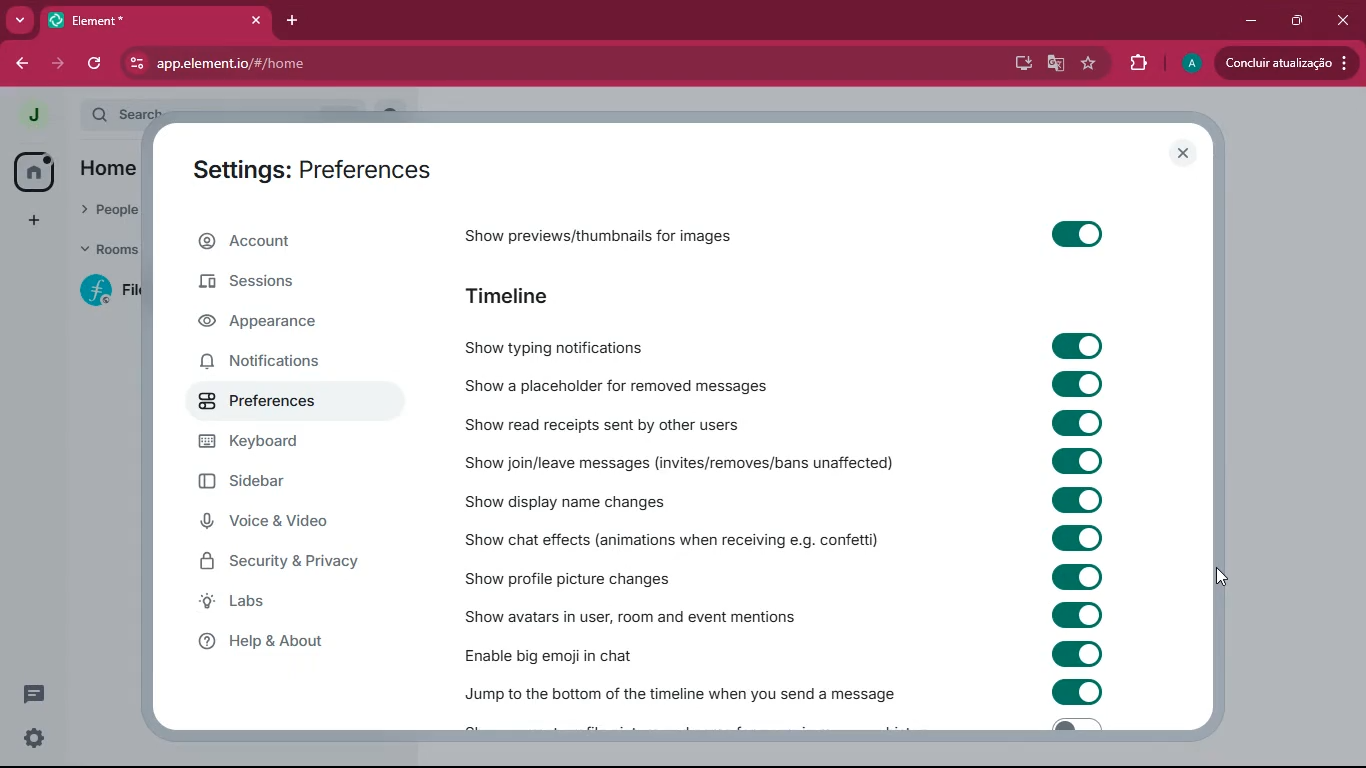 This screenshot has width=1366, height=768. I want to click on people, so click(104, 211).